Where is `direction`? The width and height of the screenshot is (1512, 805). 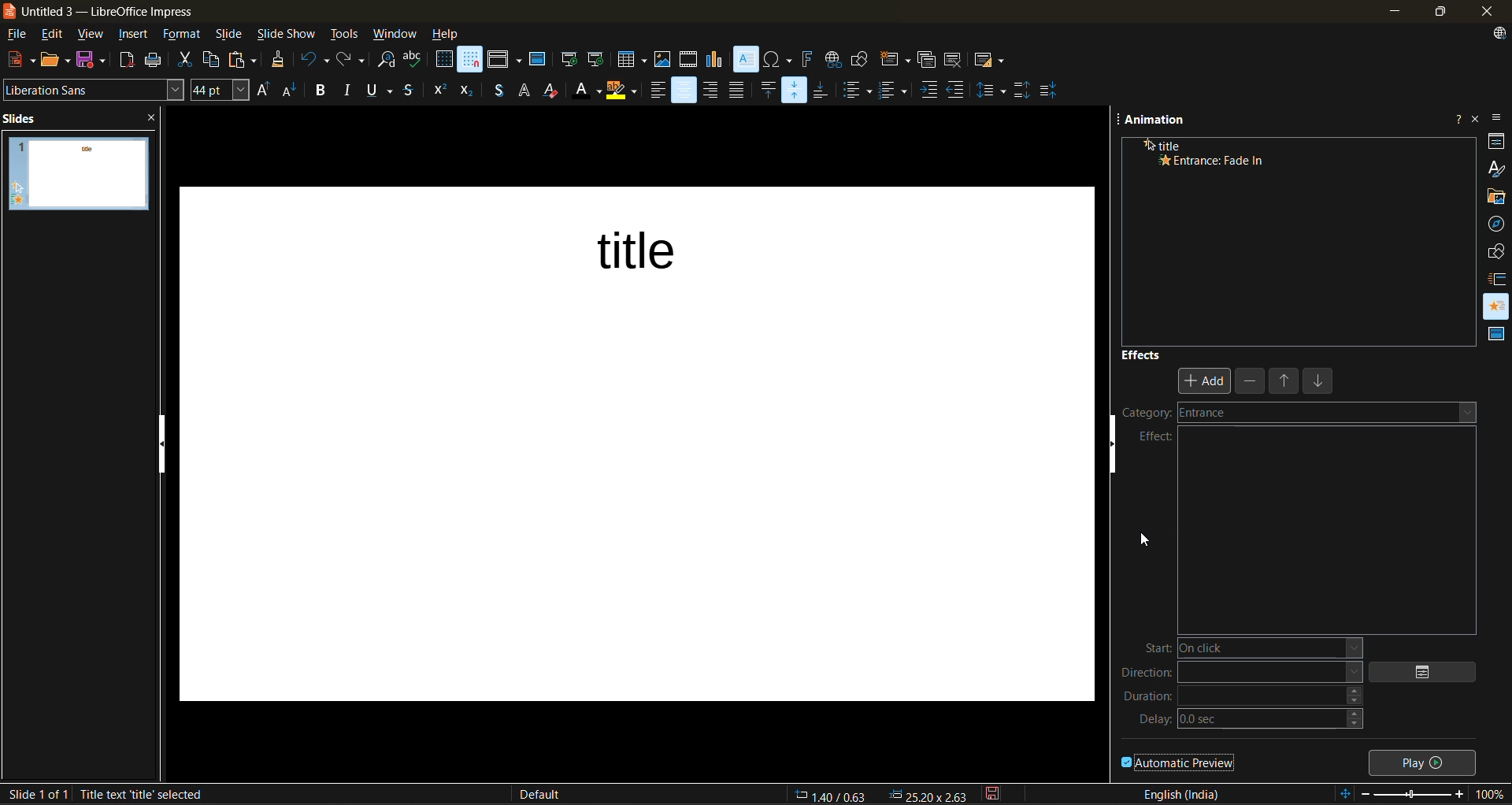 direction is located at coordinates (1241, 675).